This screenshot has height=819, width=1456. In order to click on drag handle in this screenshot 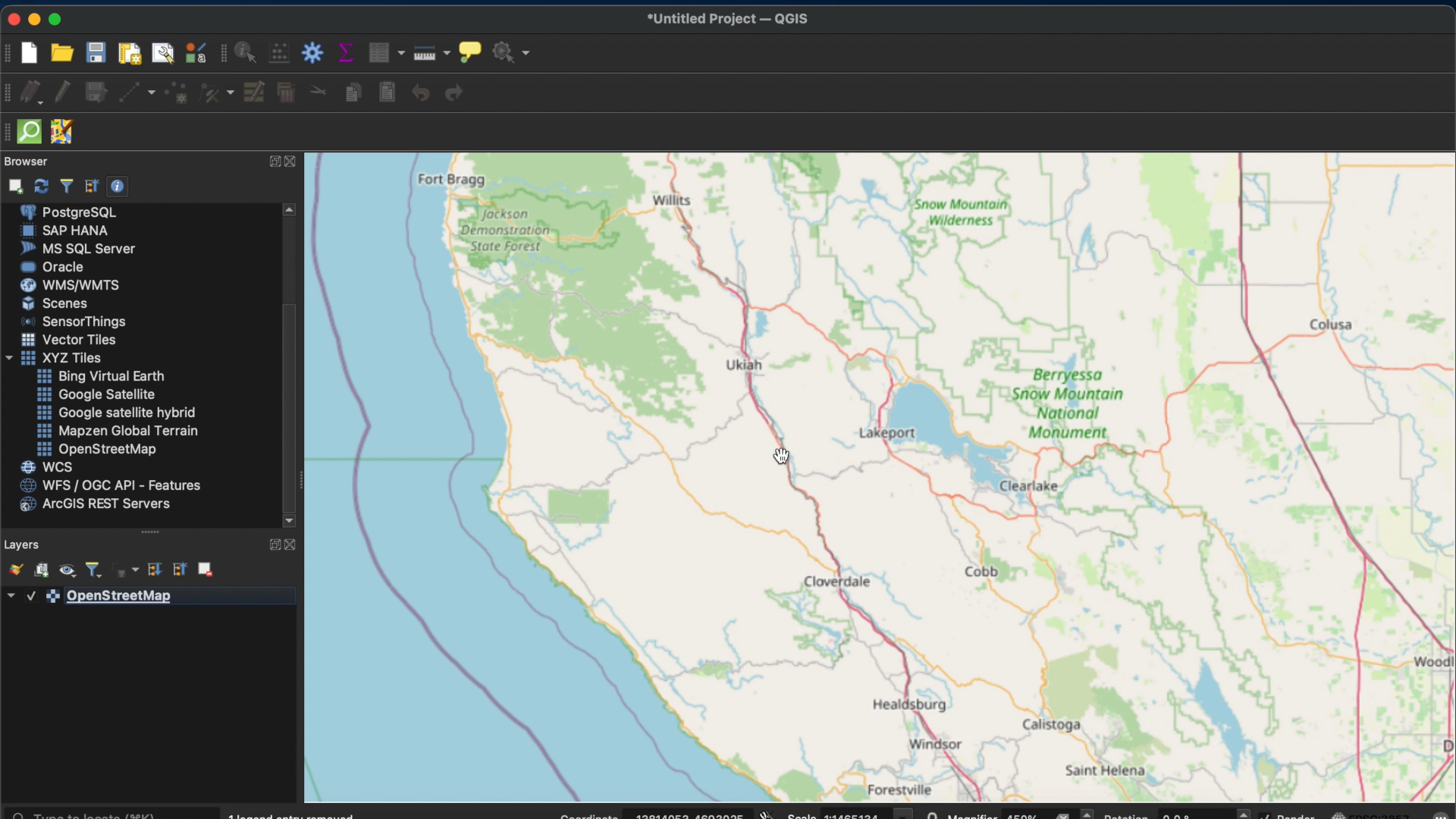, I will do `click(9, 133)`.